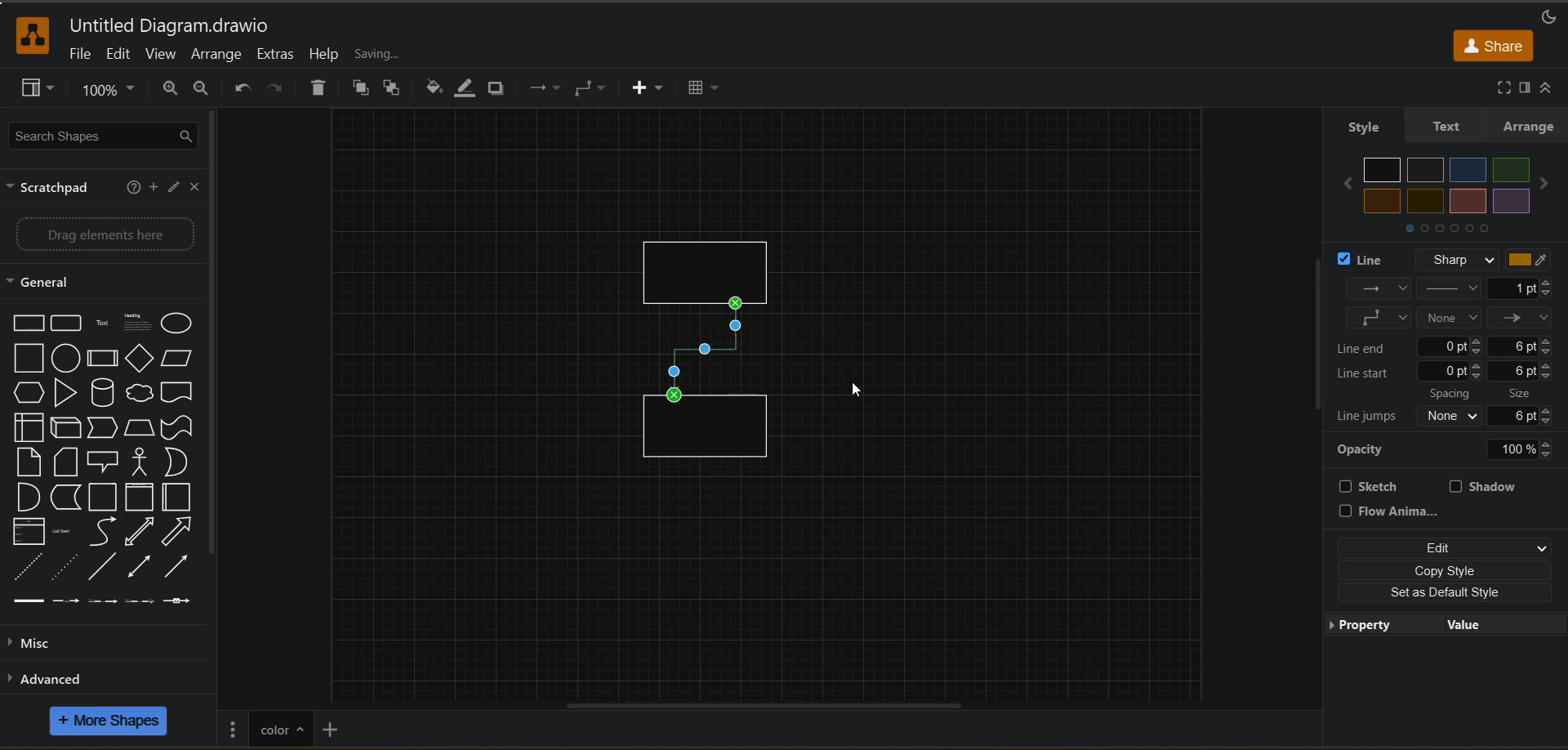 The height and width of the screenshot is (750, 1568). Describe the element at coordinates (234, 727) in the screenshot. I see `pages` at that location.